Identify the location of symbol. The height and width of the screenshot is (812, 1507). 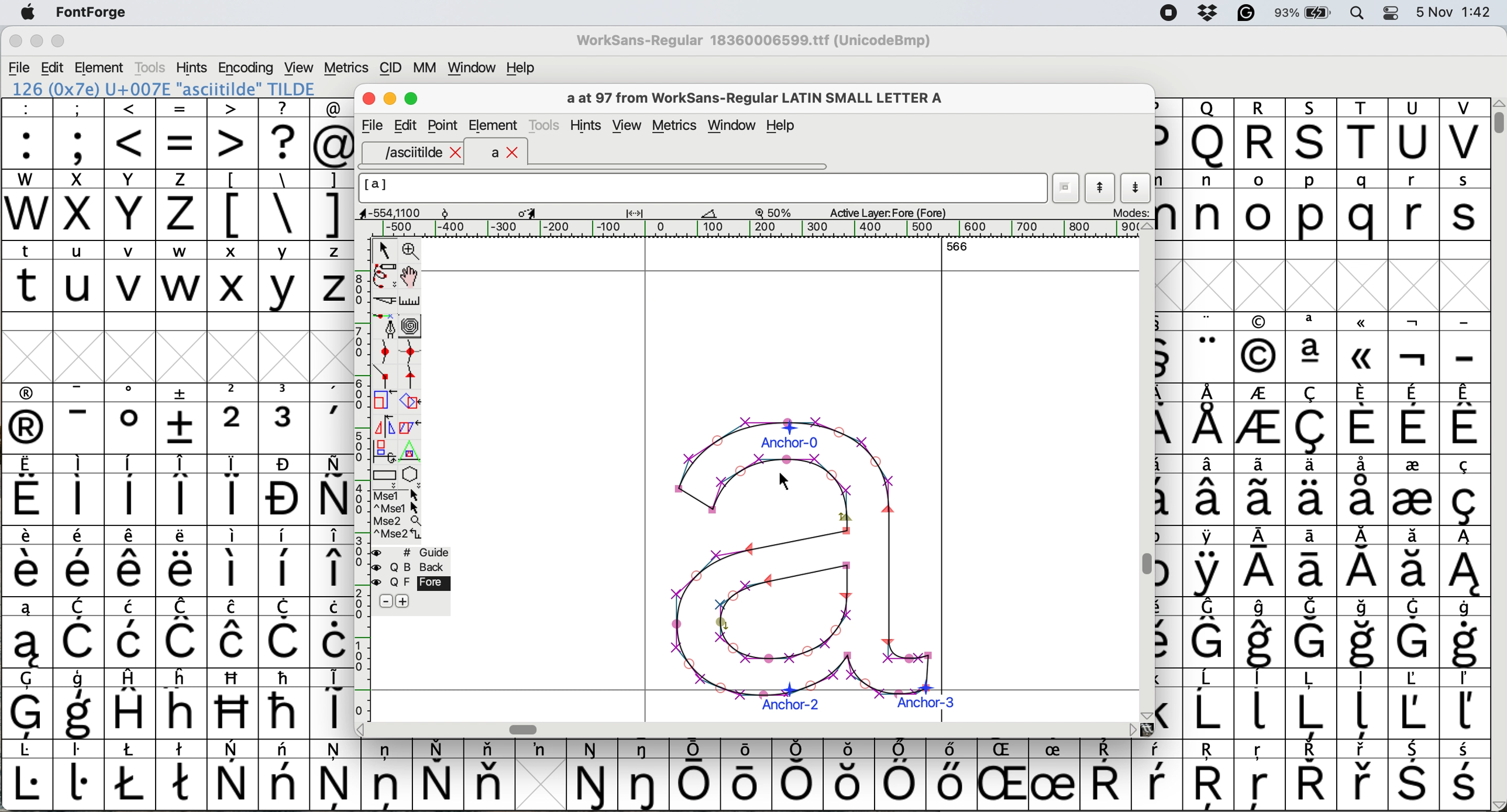
(1365, 705).